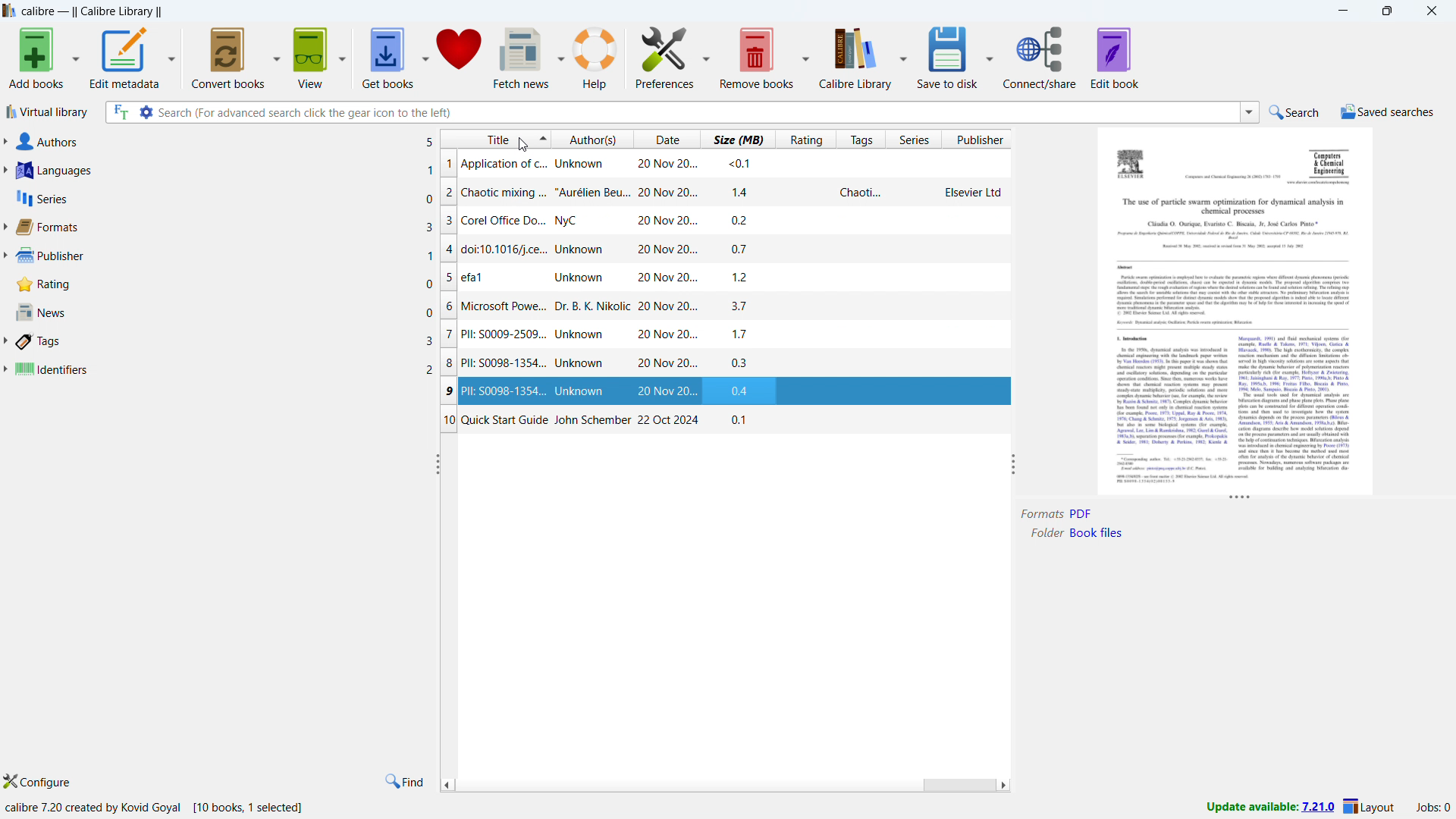 The height and width of the screenshot is (819, 1456). I want to click on layout, so click(1371, 807).